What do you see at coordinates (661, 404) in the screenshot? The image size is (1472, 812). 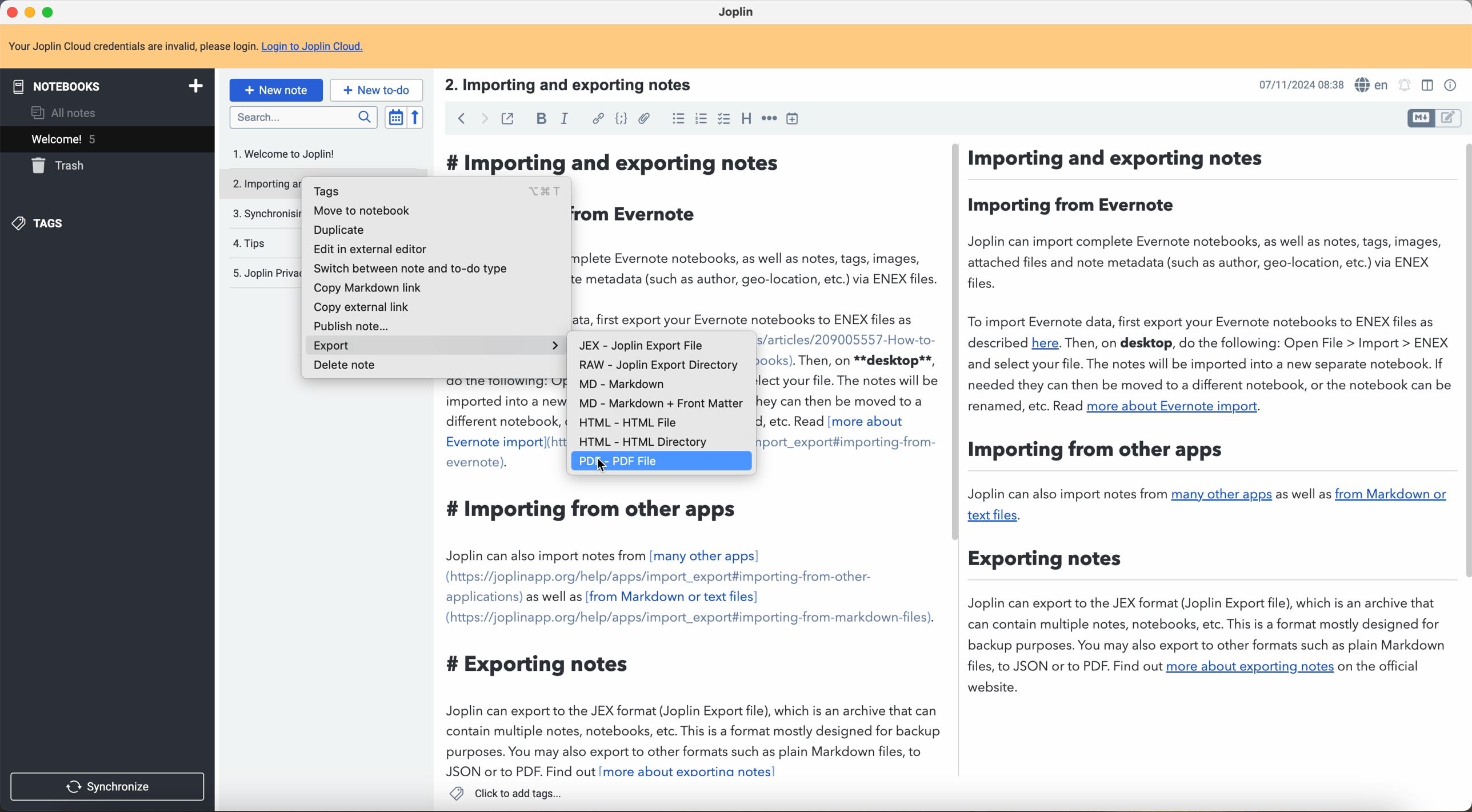 I see `MD - Markdown + front matter` at bounding box center [661, 404].